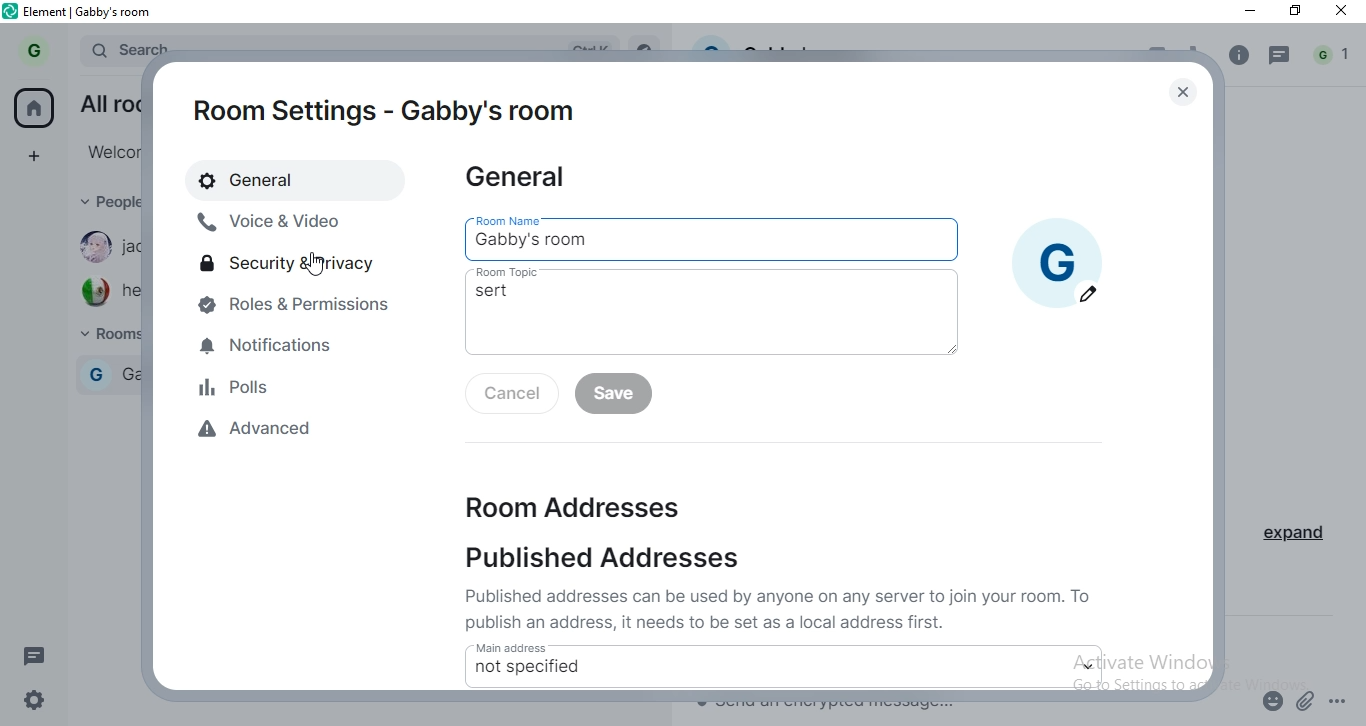  I want to click on published addresses, so click(628, 560).